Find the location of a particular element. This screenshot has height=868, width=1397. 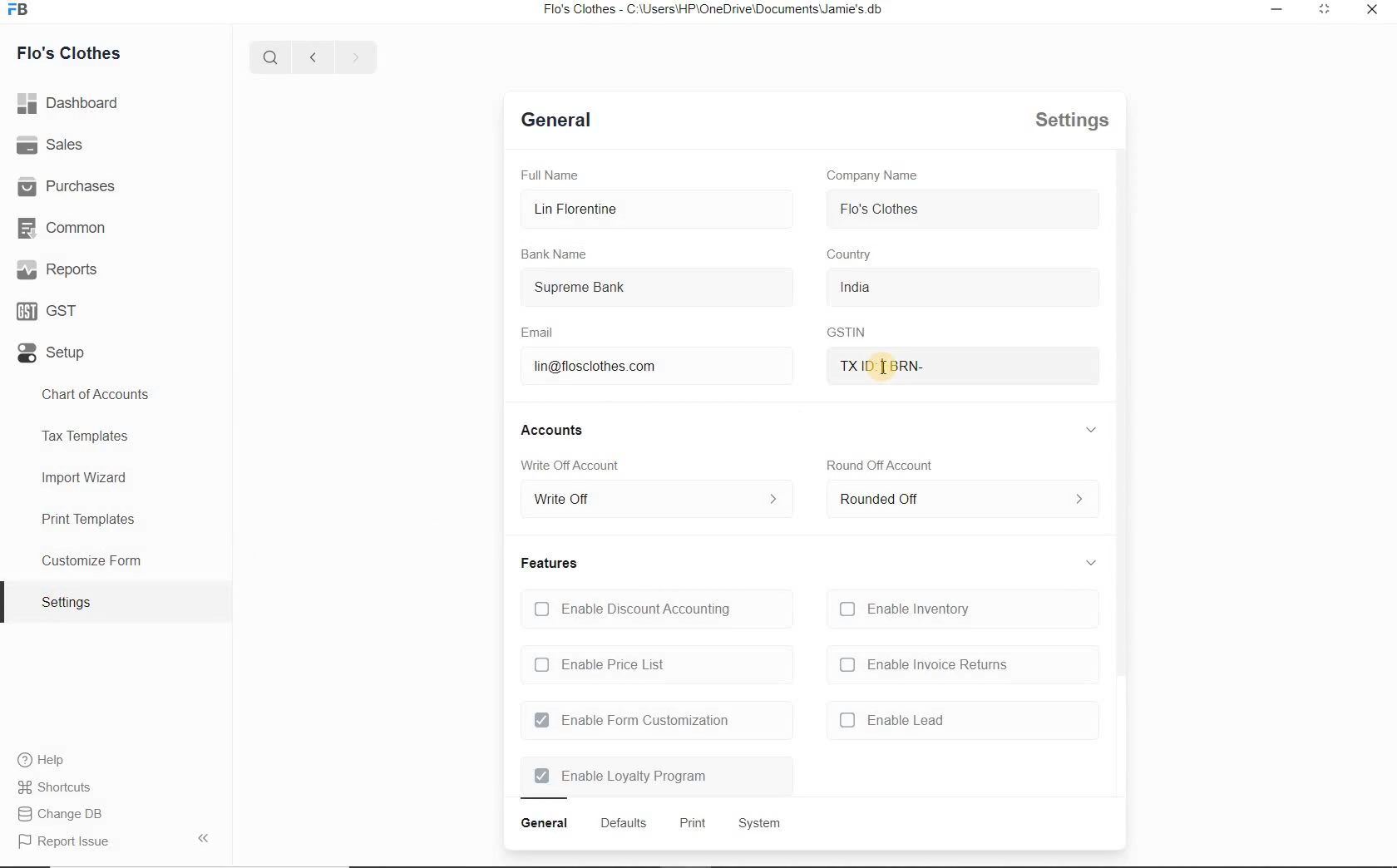

settings is located at coordinates (1065, 121).